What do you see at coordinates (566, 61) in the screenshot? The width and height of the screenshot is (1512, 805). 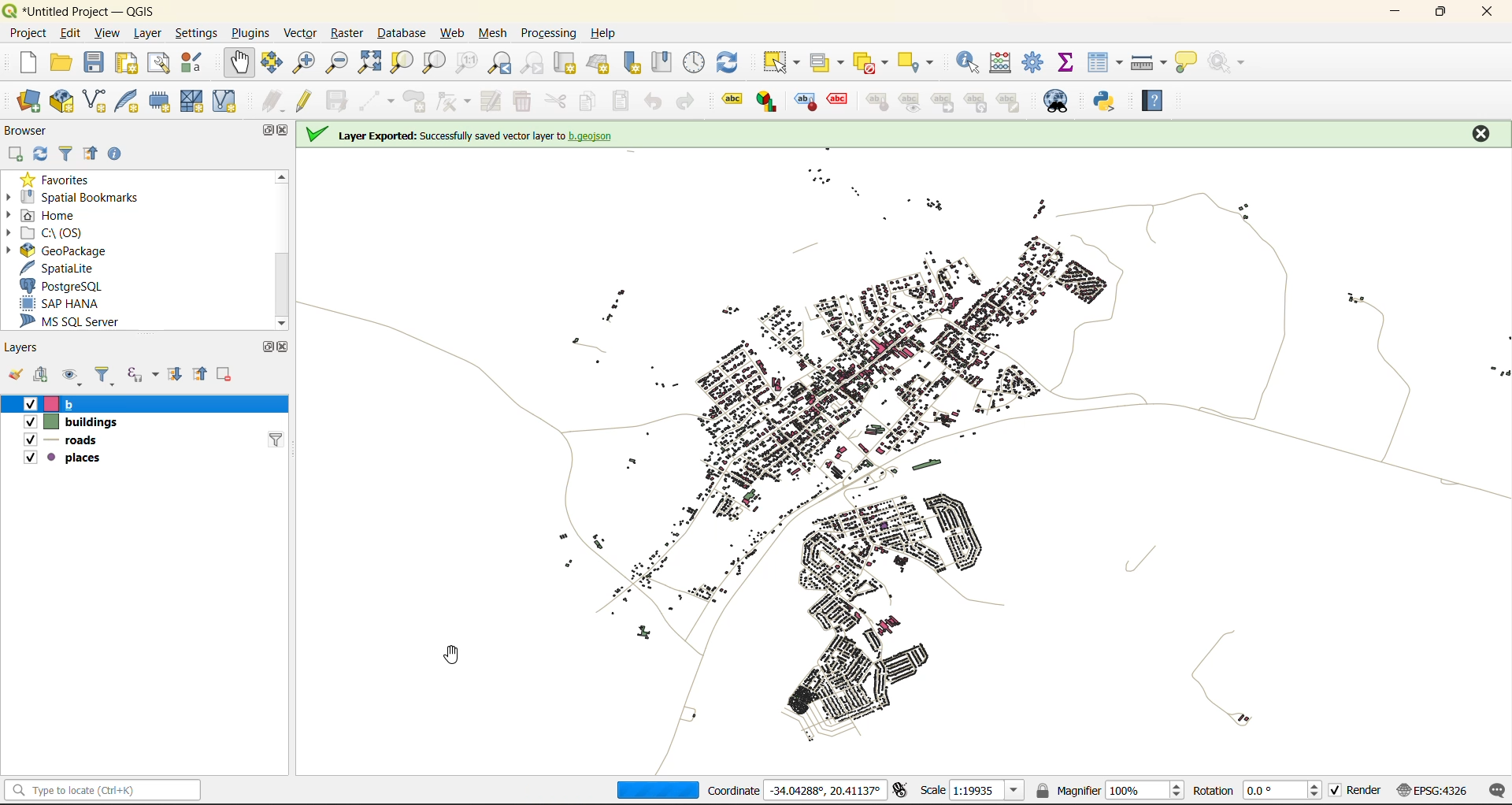 I see `cut` at bounding box center [566, 61].